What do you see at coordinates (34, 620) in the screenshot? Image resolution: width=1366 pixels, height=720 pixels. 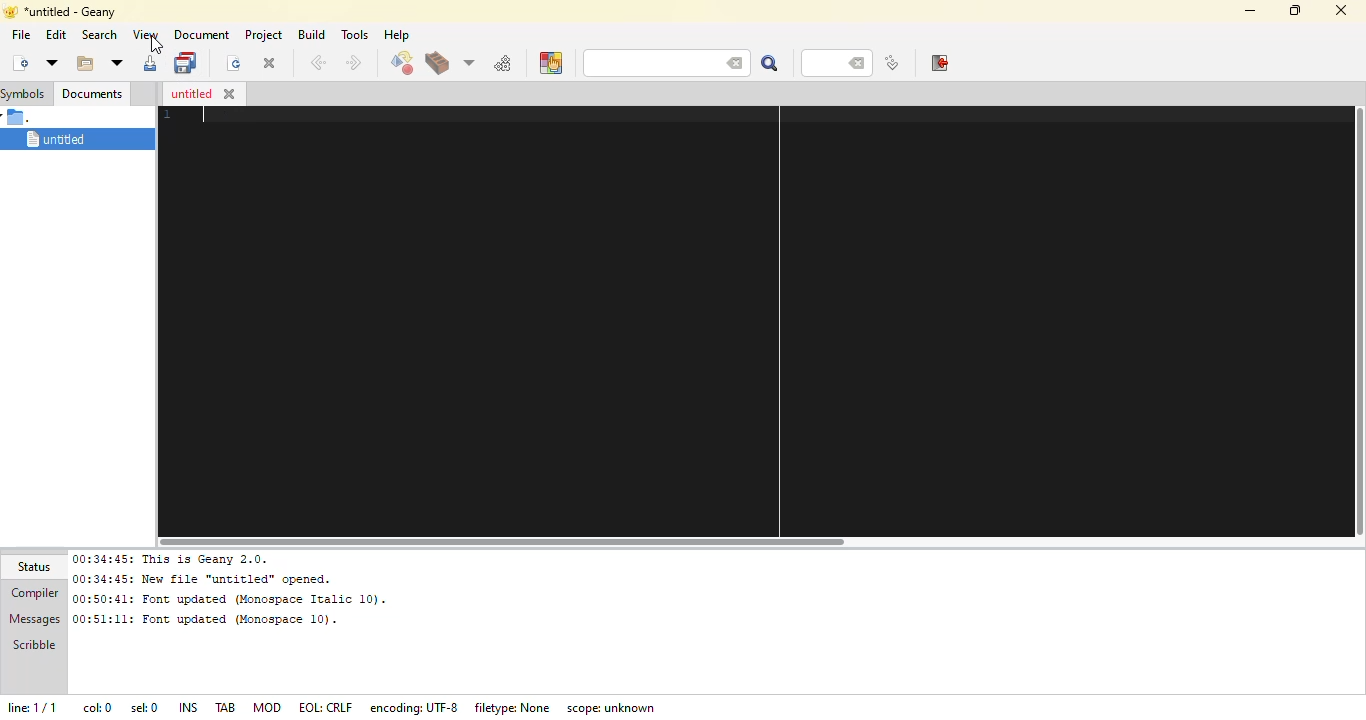 I see `messages` at bounding box center [34, 620].